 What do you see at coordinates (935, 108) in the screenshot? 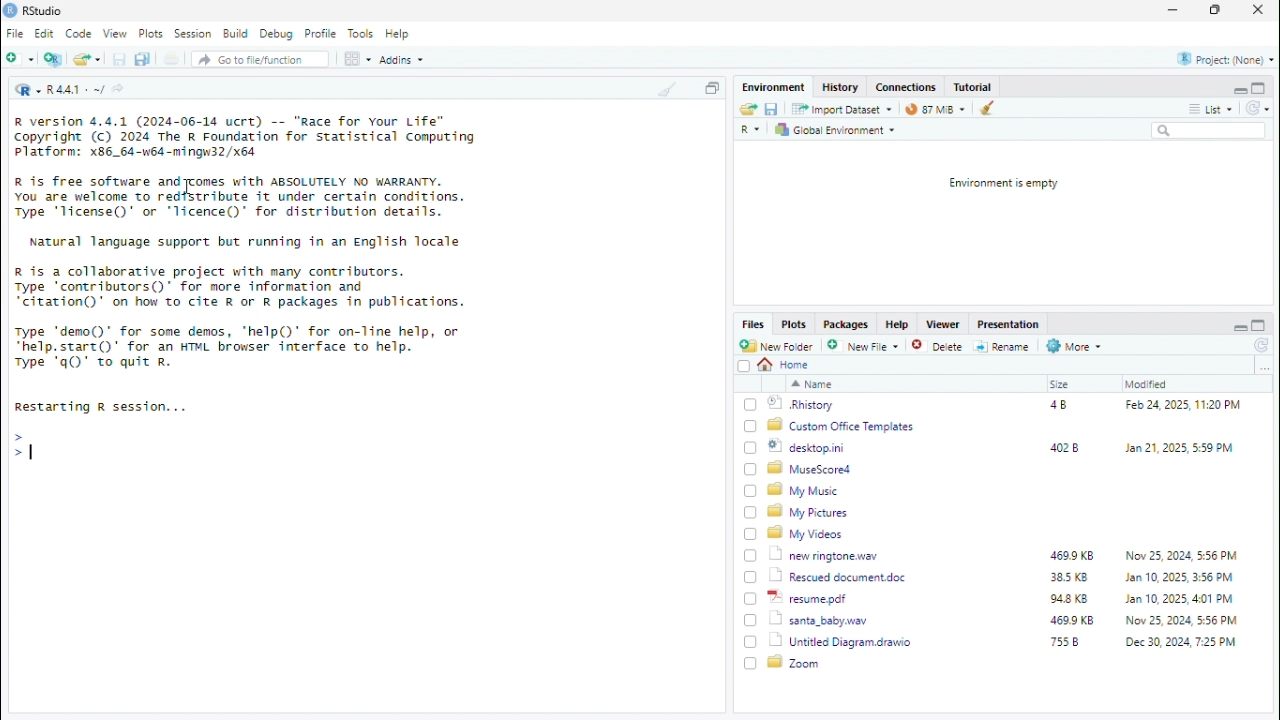
I see `89 MiB` at bounding box center [935, 108].